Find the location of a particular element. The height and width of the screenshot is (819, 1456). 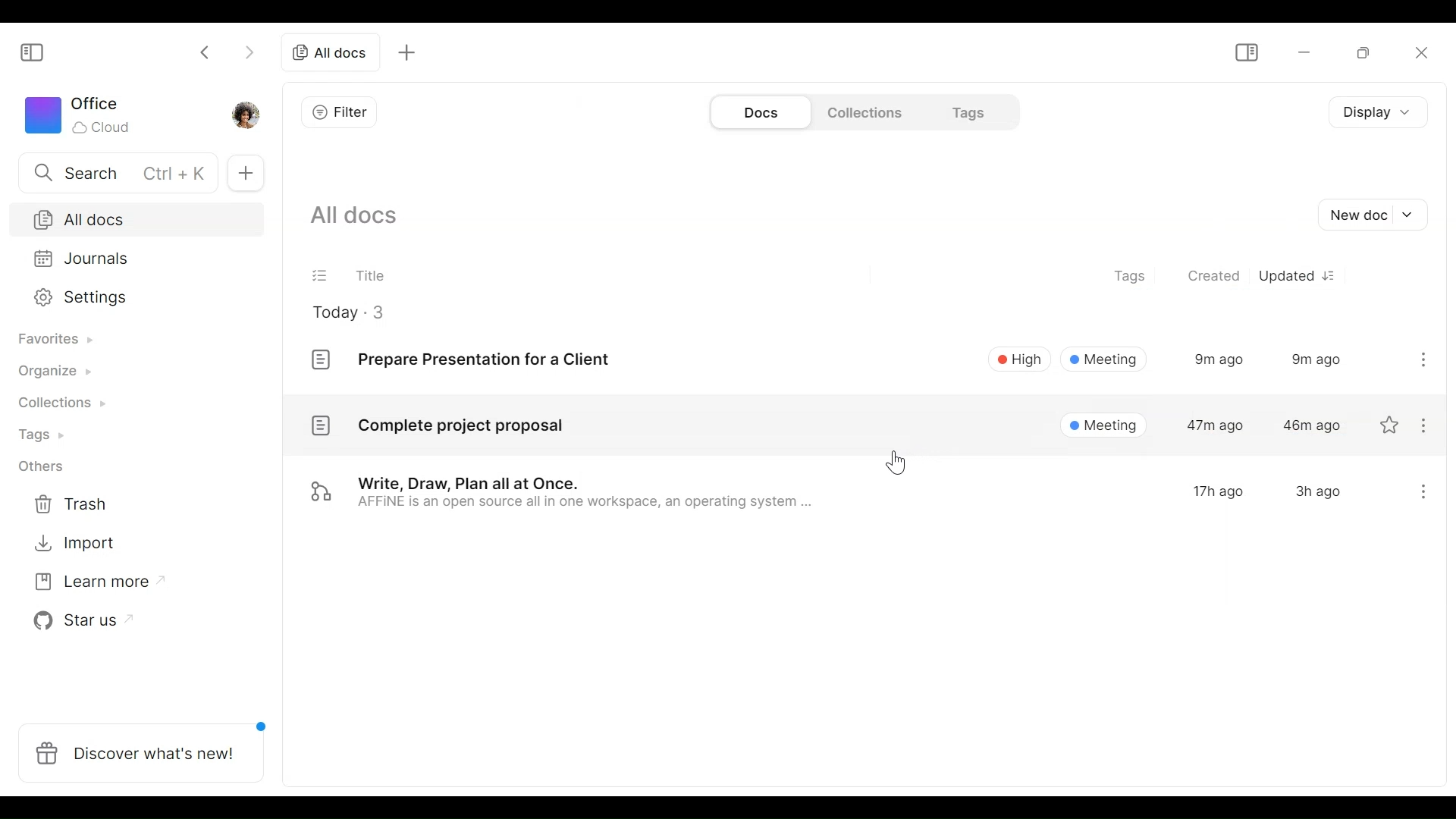

Tags is located at coordinates (47, 435).